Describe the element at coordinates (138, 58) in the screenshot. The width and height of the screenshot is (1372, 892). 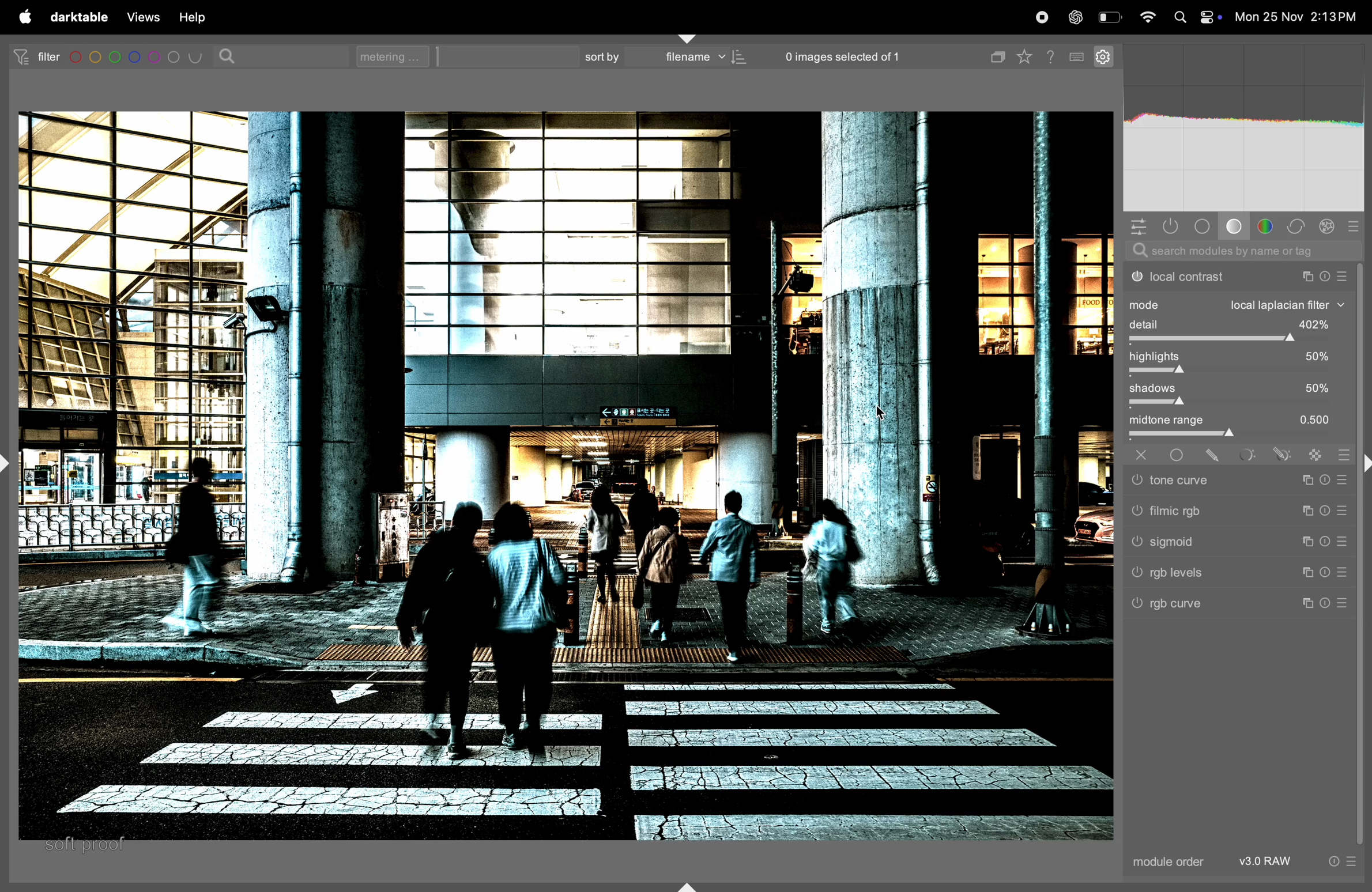
I see `filters` at that location.